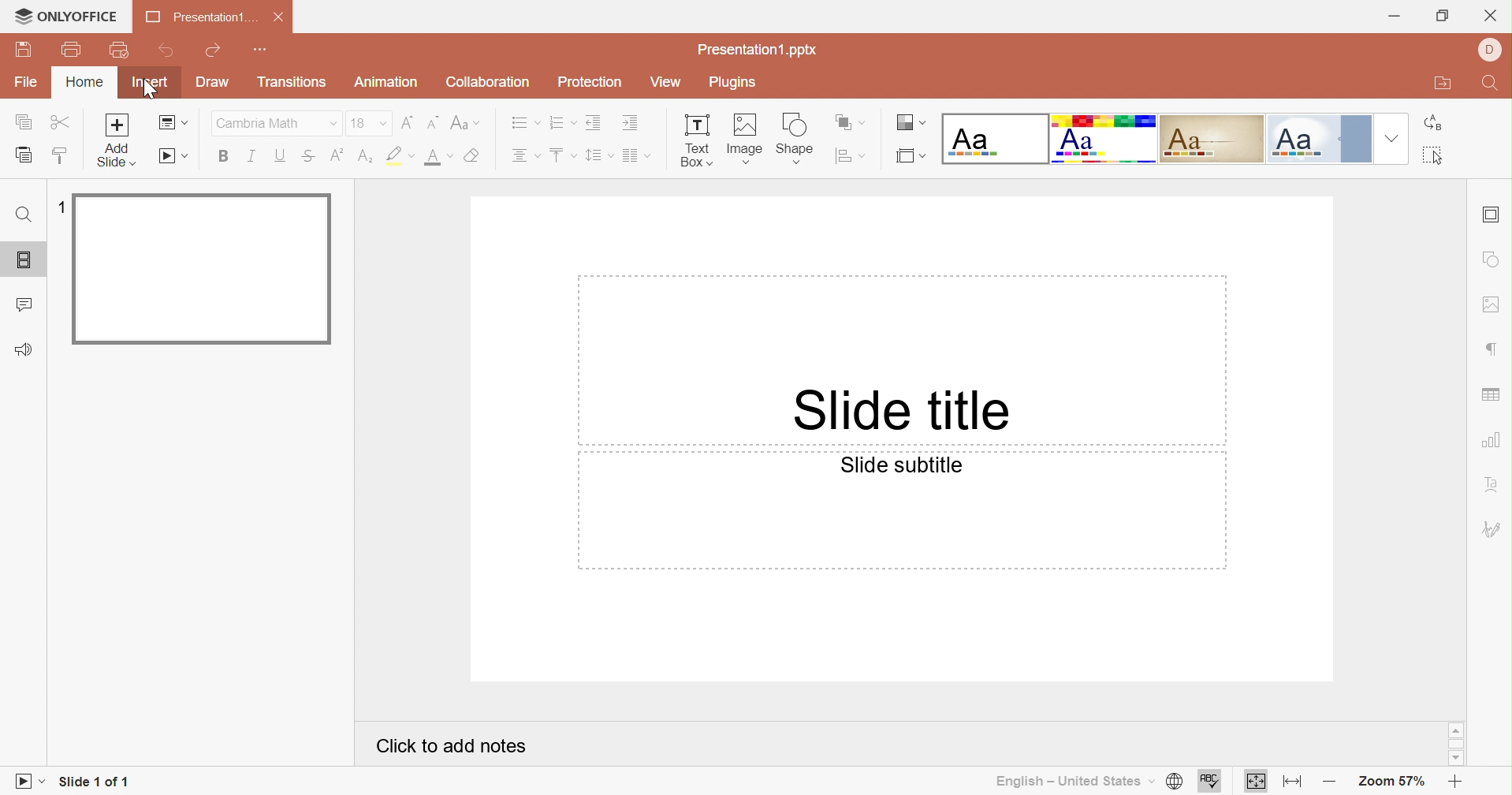 The height and width of the screenshot is (795, 1512). Describe the element at coordinates (25, 303) in the screenshot. I see `Comments` at that location.